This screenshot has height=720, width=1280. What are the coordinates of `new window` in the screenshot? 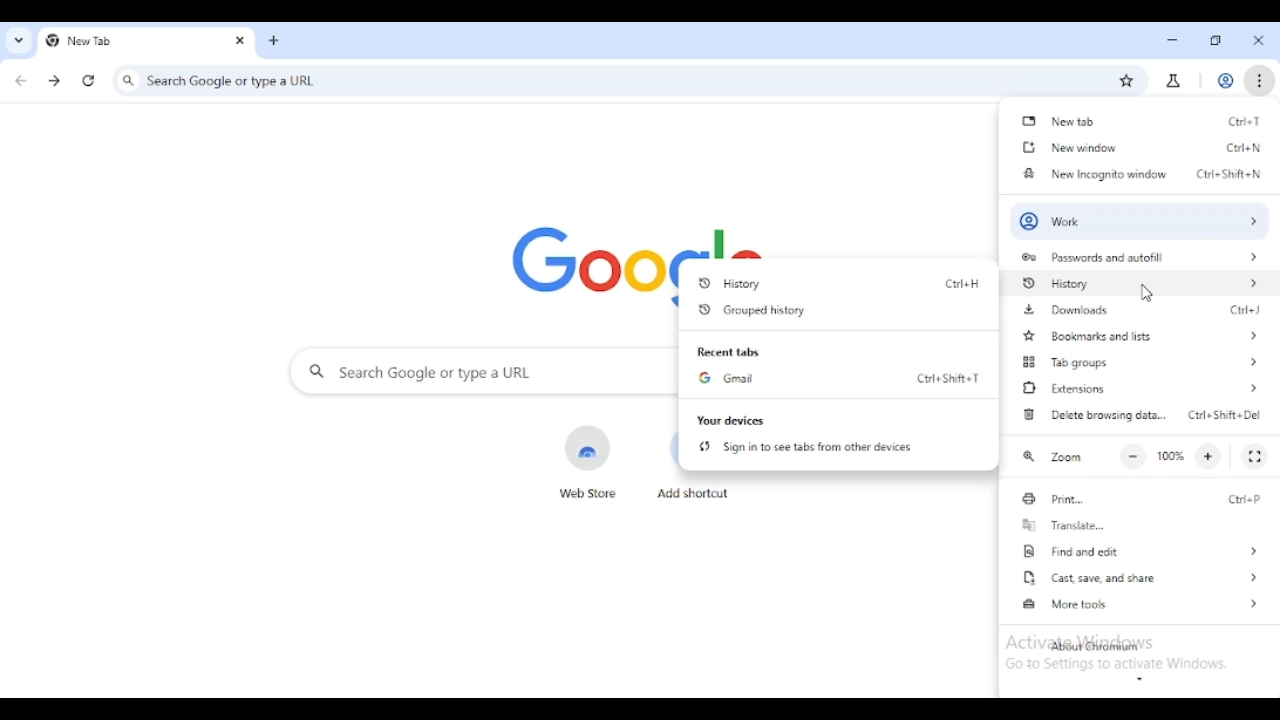 It's located at (1066, 147).